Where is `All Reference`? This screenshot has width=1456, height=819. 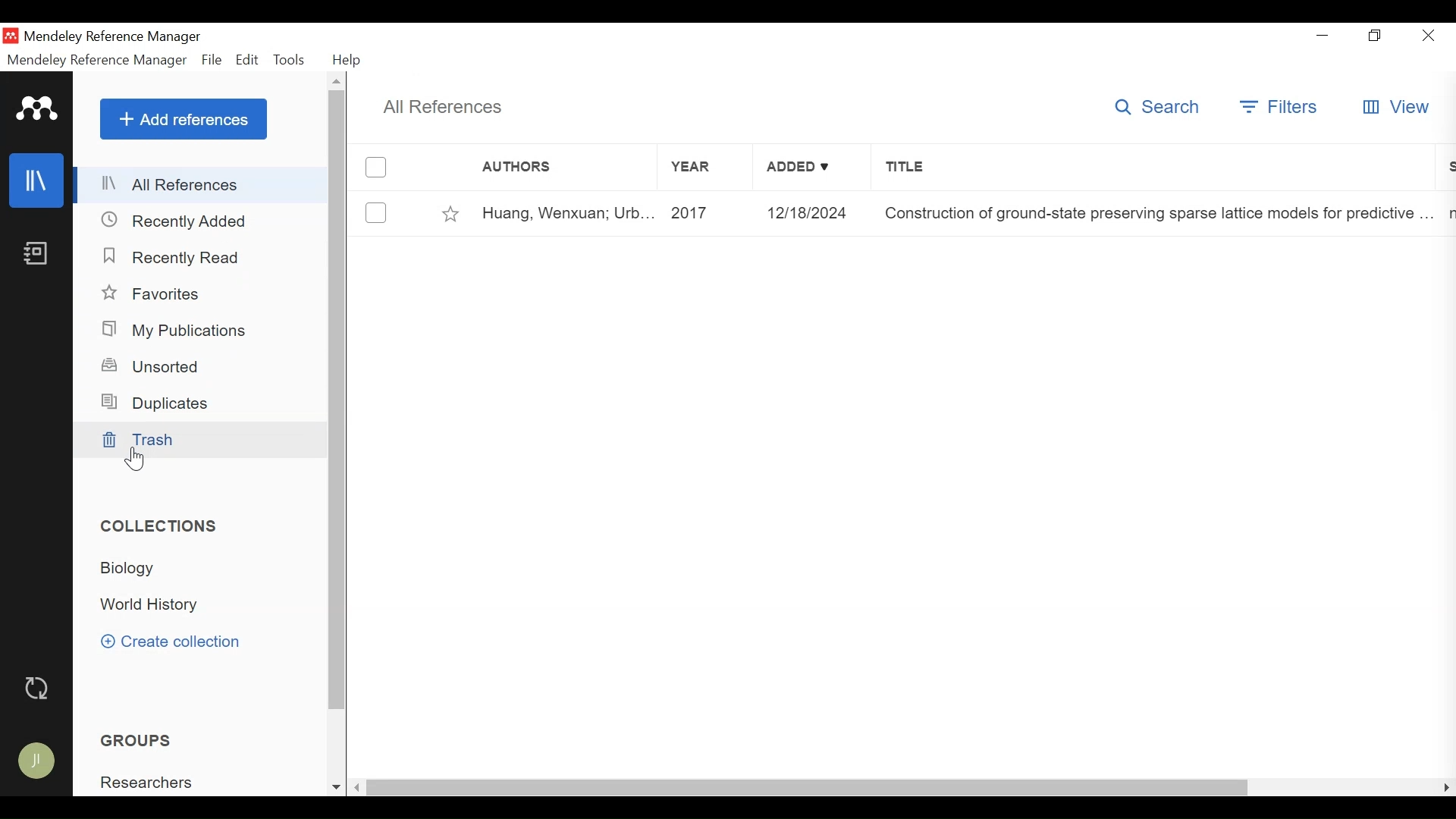
All Reference is located at coordinates (202, 186).